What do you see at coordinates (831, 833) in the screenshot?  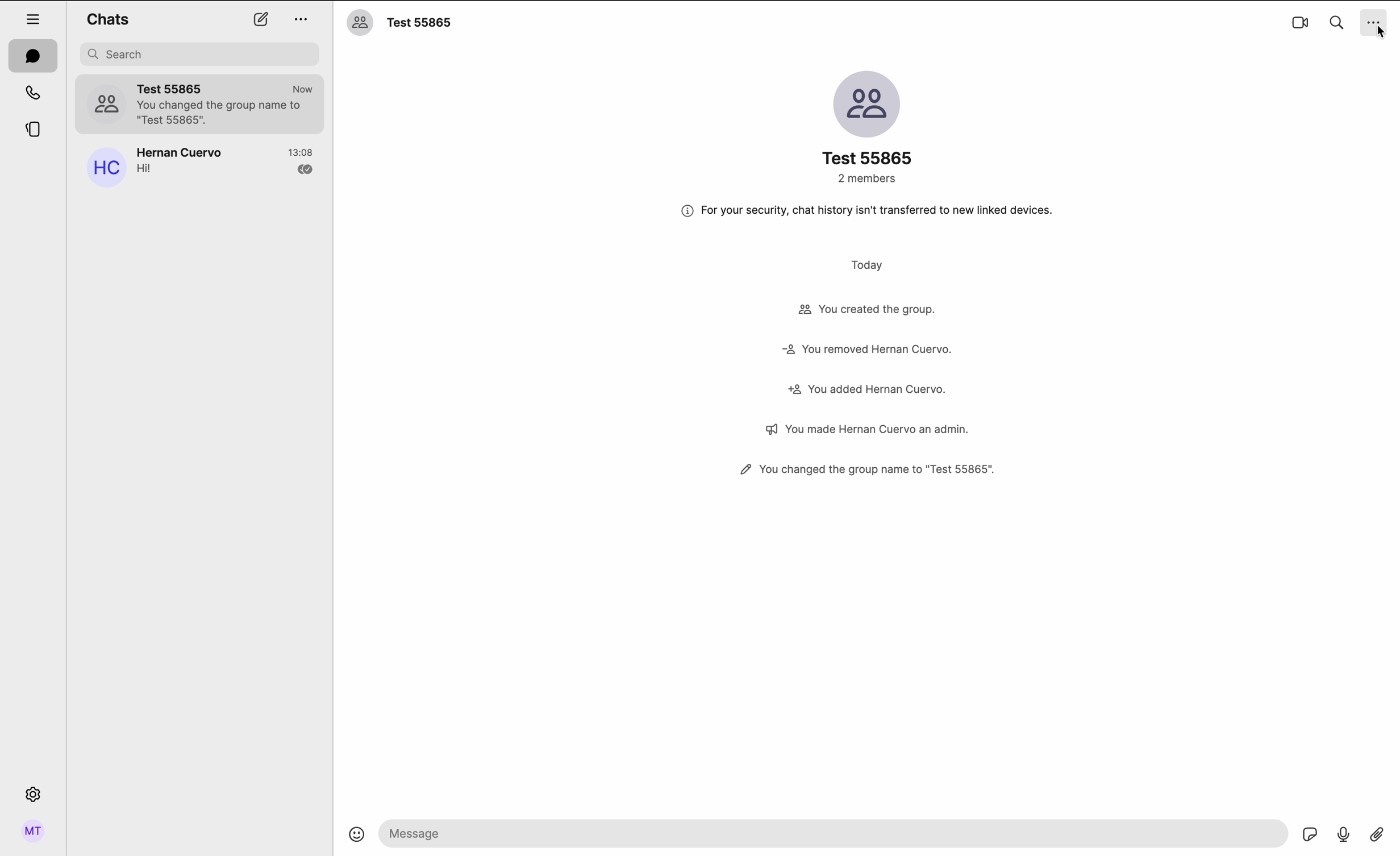 I see `send message` at bounding box center [831, 833].